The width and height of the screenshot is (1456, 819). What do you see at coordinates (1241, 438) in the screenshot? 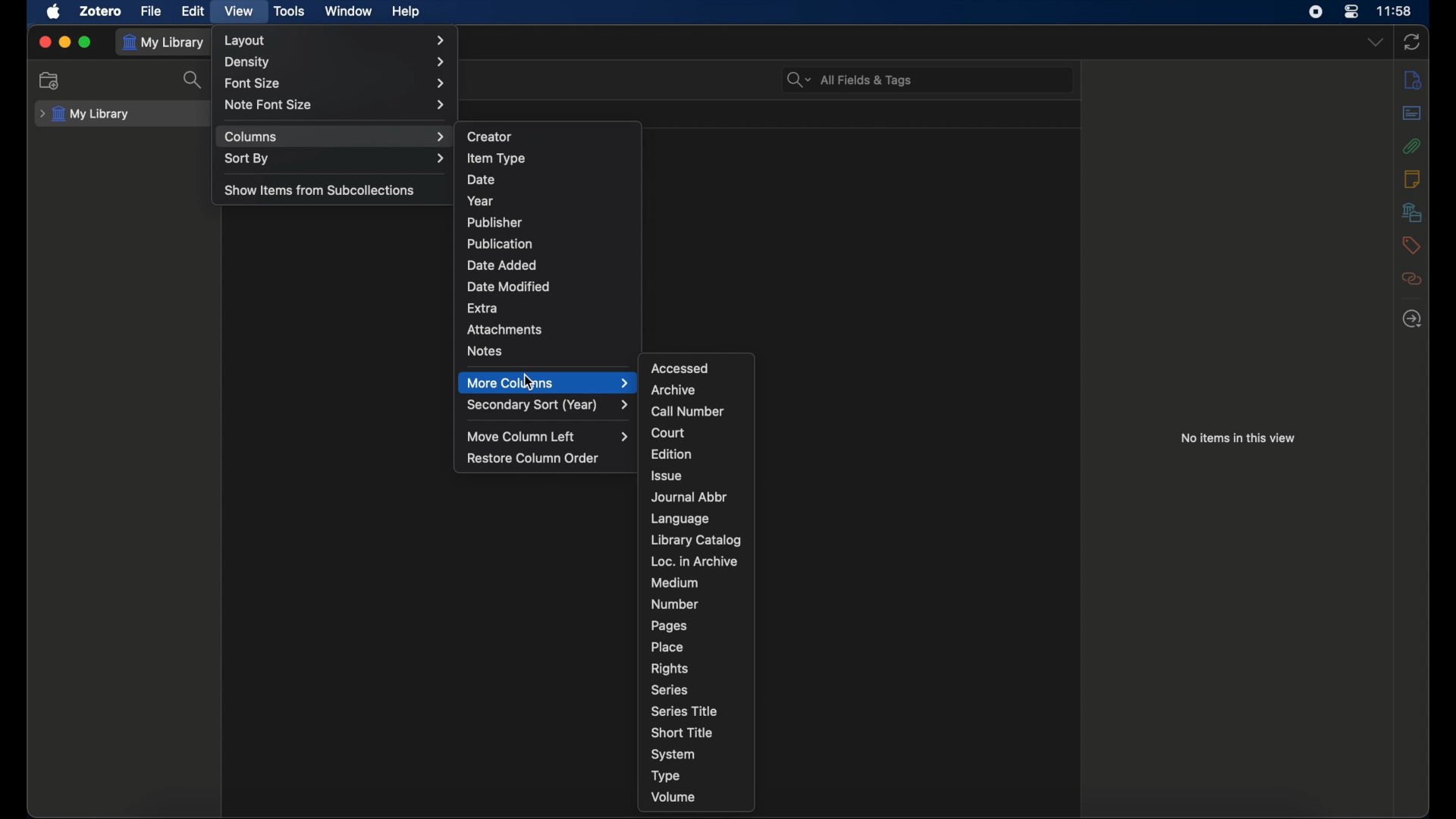
I see `no items in this view` at bounding box center [1241, 438].